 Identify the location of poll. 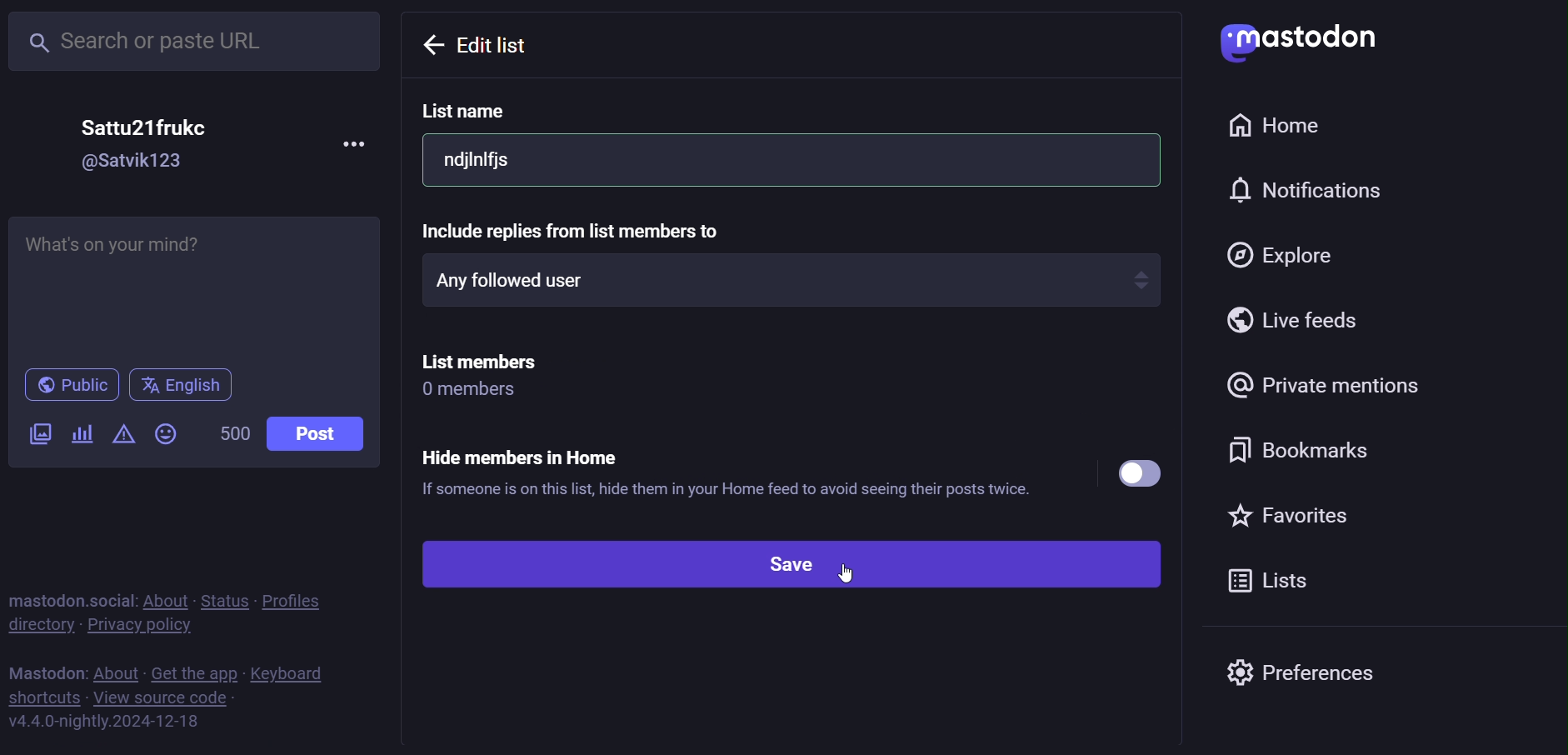
(88, 434).